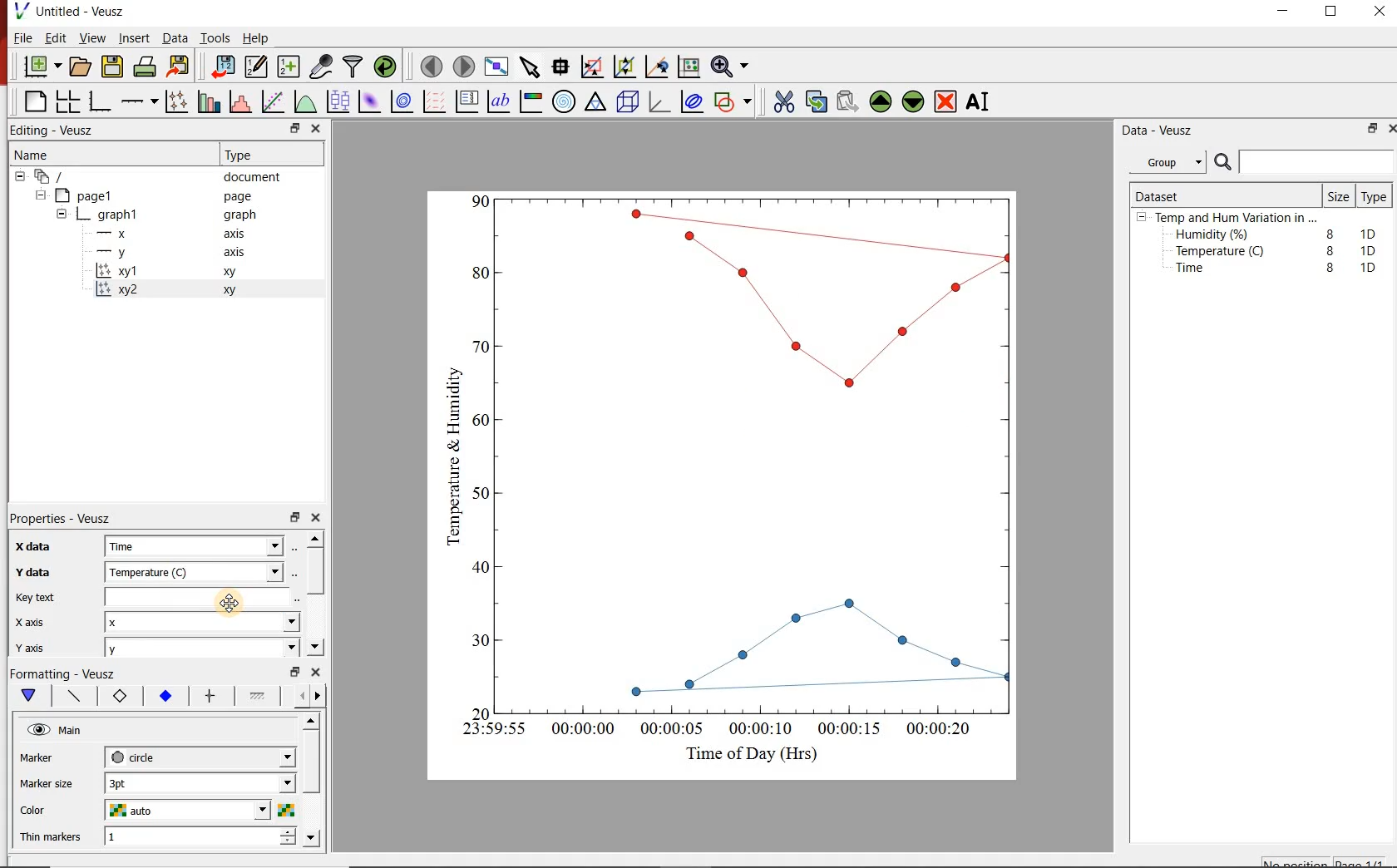 Image resolution: width=1397 pixels, height=868 pixels. Describe the element at coordinates (1216, 235) in the screenshot. I see `Humidity (%)` at that location.